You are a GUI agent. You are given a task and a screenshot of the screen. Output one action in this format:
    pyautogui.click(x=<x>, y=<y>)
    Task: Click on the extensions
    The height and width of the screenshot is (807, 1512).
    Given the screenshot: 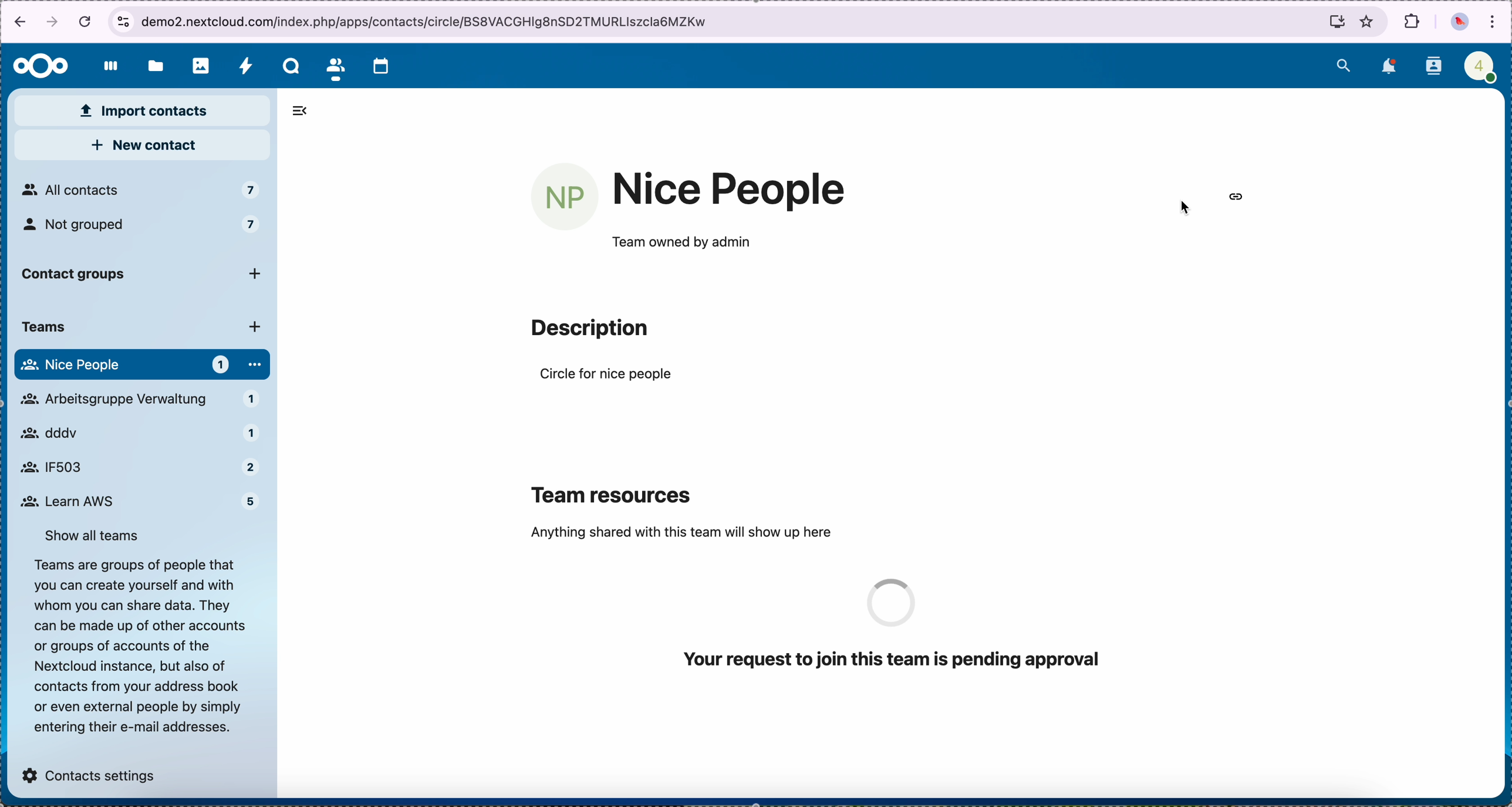 What is the action you would take?
    pyautogui.click(x=1411, y=23)
    